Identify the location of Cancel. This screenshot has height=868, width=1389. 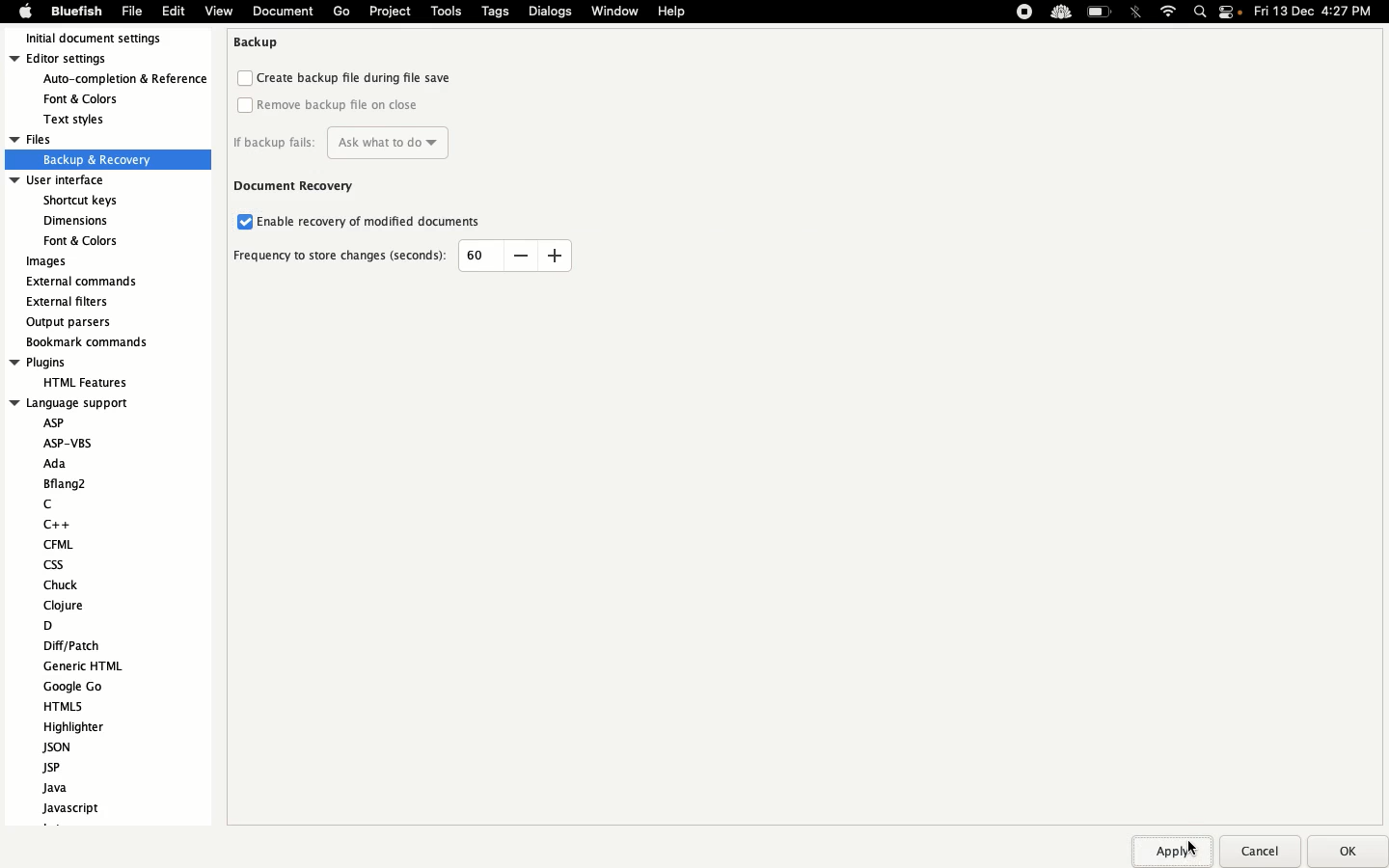
(1263, 849).